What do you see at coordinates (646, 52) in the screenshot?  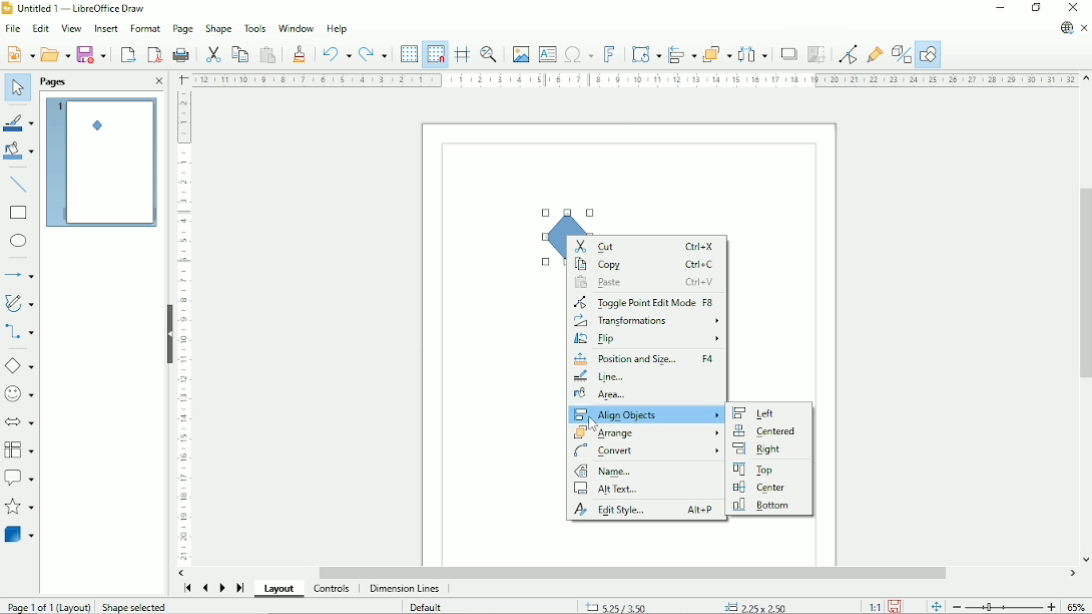 I see `Transformation` at bounding box center [646, 52].